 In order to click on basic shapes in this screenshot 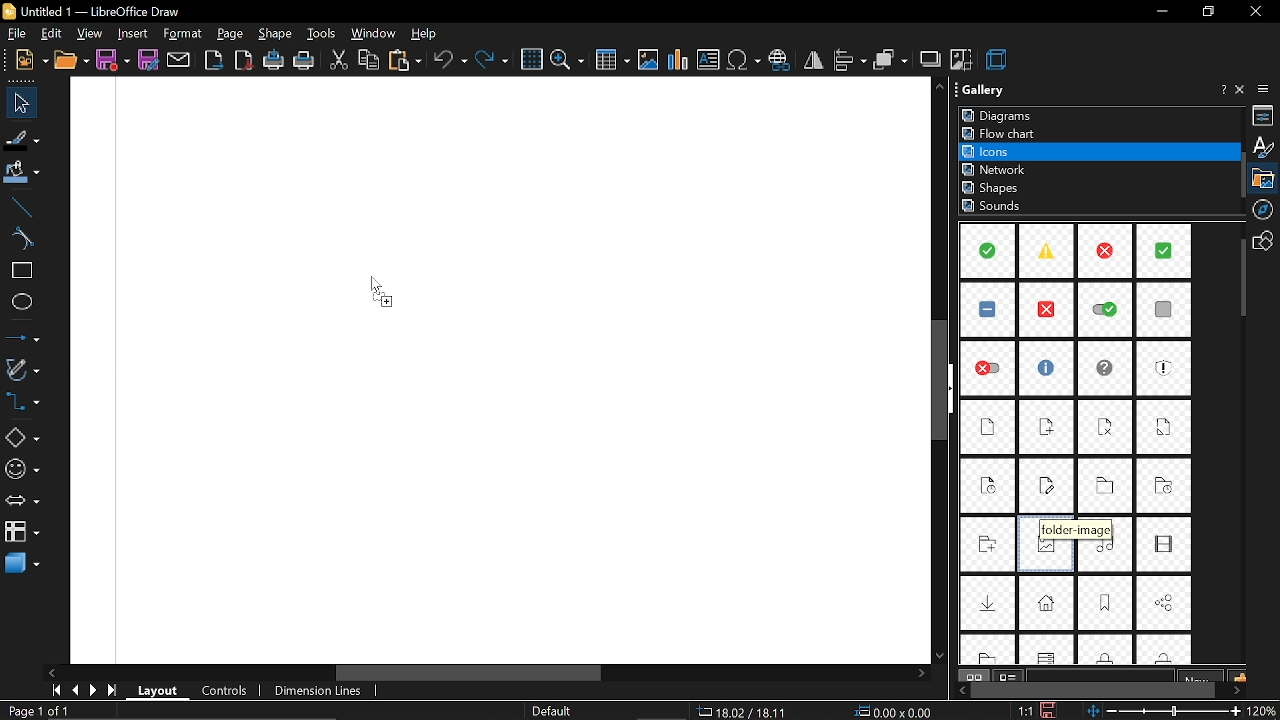, I will do `click(21, 440)`.